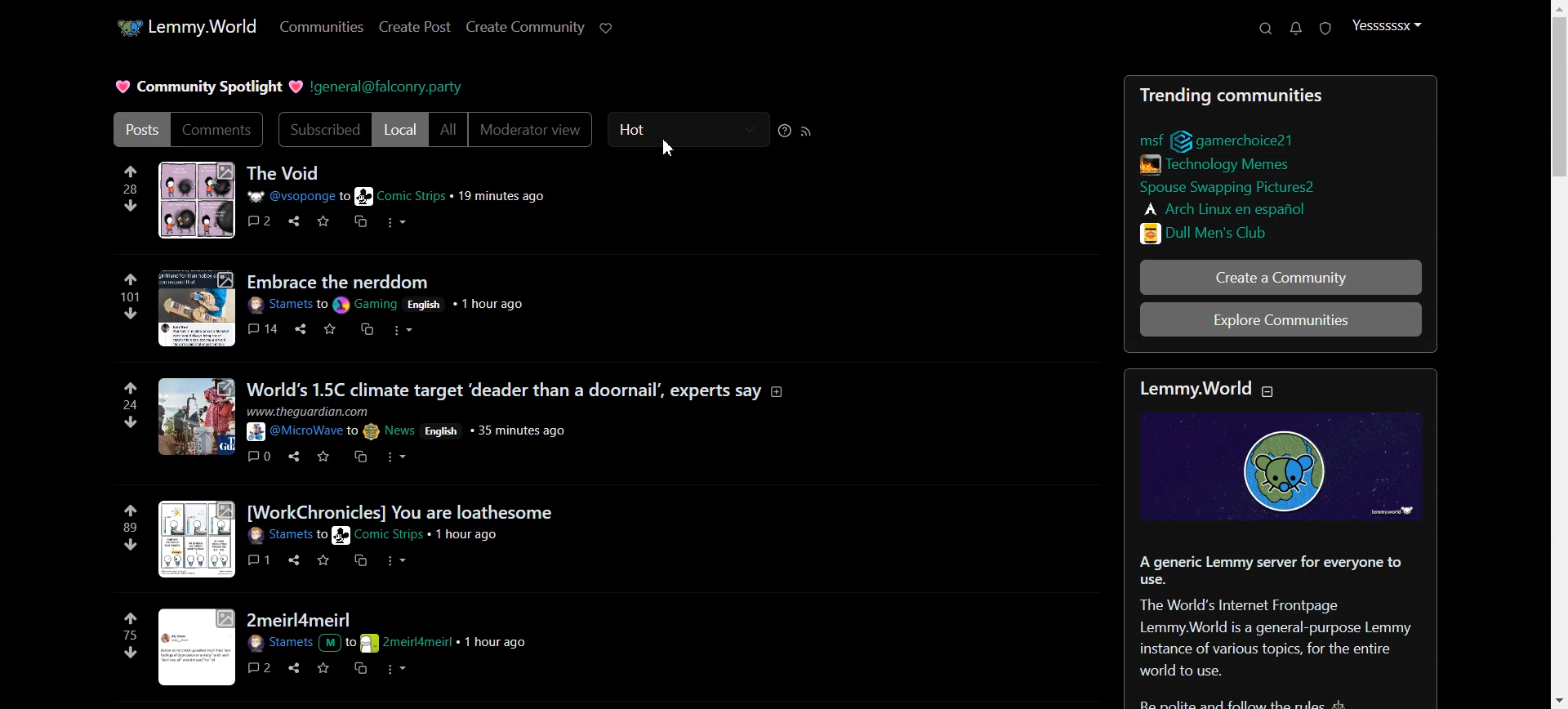 The width and height of the screenshot is (1568, 709). What do you see at coordinates (129, 528) in the screenshot?
I see `89` at bounding box center [129, 528].